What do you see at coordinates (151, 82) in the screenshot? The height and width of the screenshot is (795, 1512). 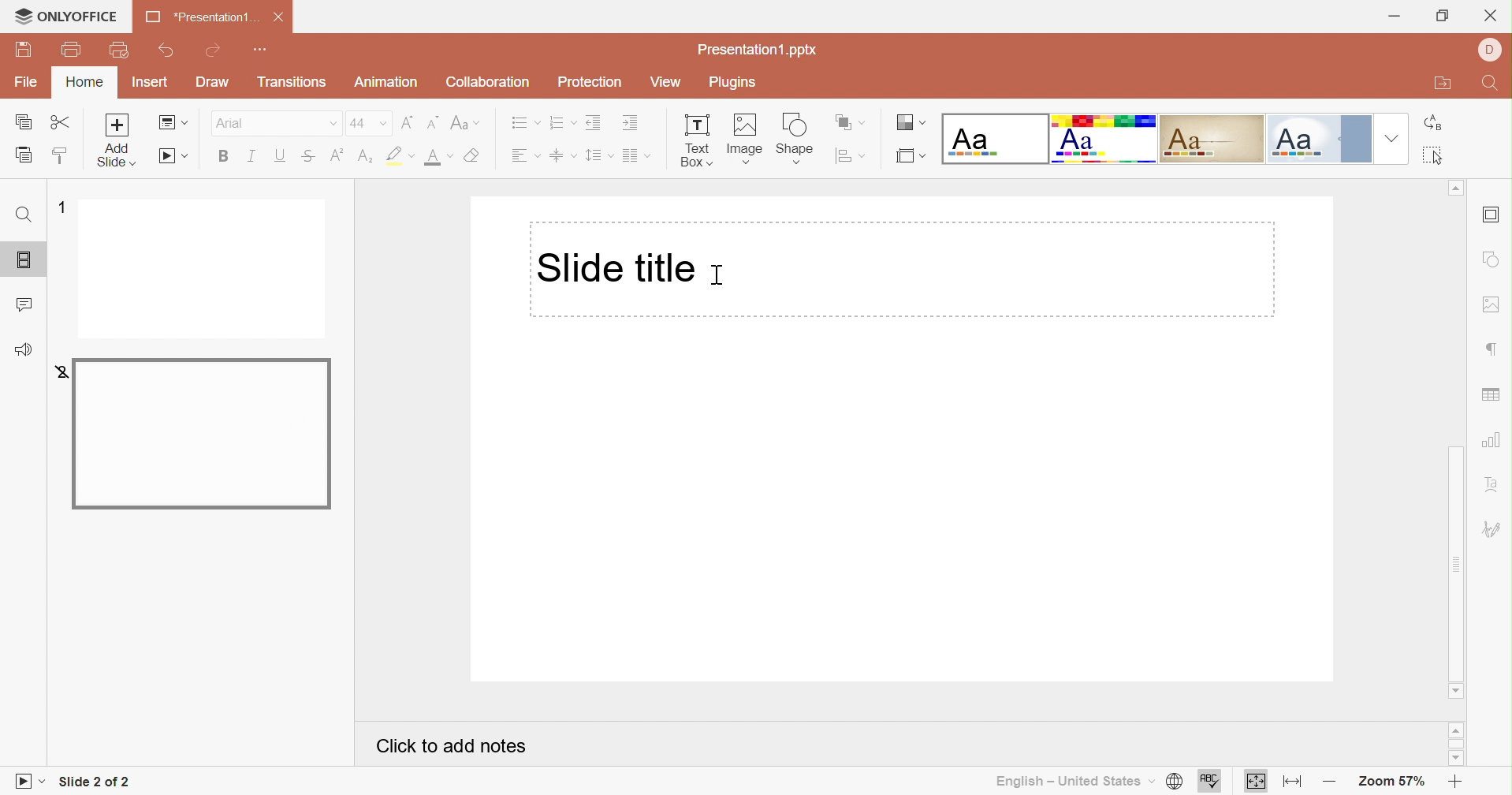 I see `Insert` at bounding box center [151, 82].